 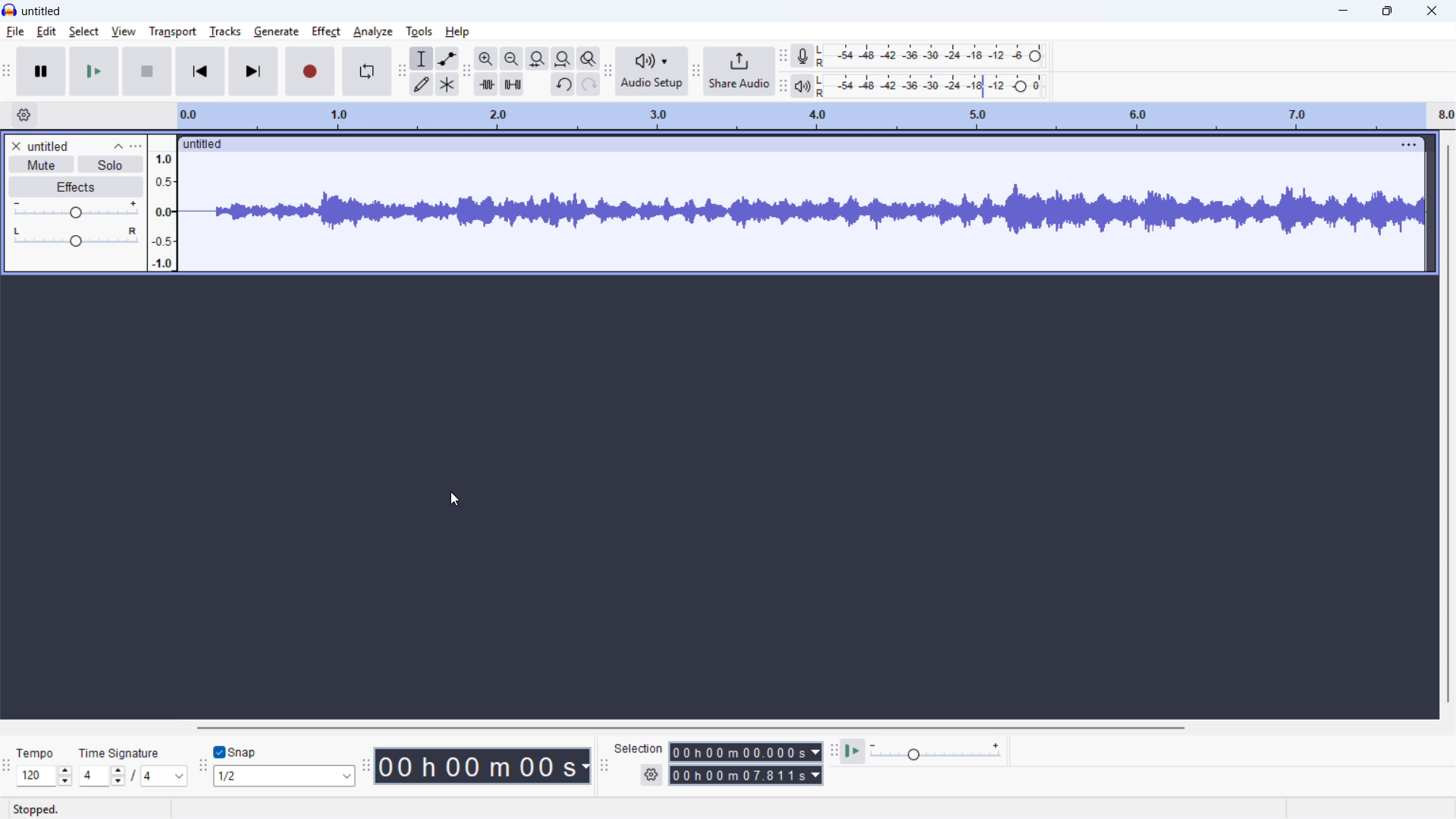 I want to click on envelope tool, so click(x=446, y=58).